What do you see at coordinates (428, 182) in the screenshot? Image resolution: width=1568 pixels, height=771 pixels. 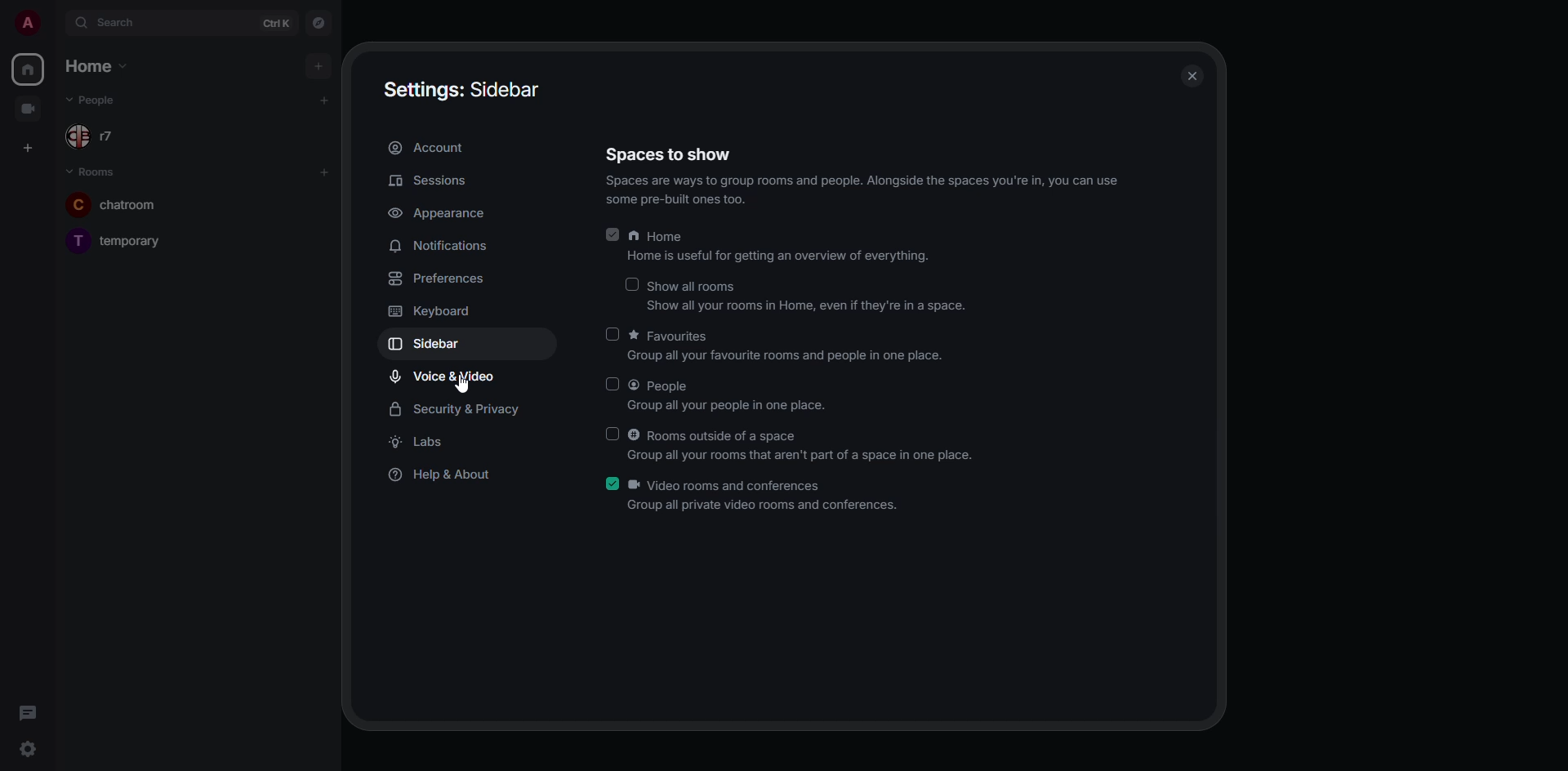 I see `sessions` at bounding box center [428, 182].